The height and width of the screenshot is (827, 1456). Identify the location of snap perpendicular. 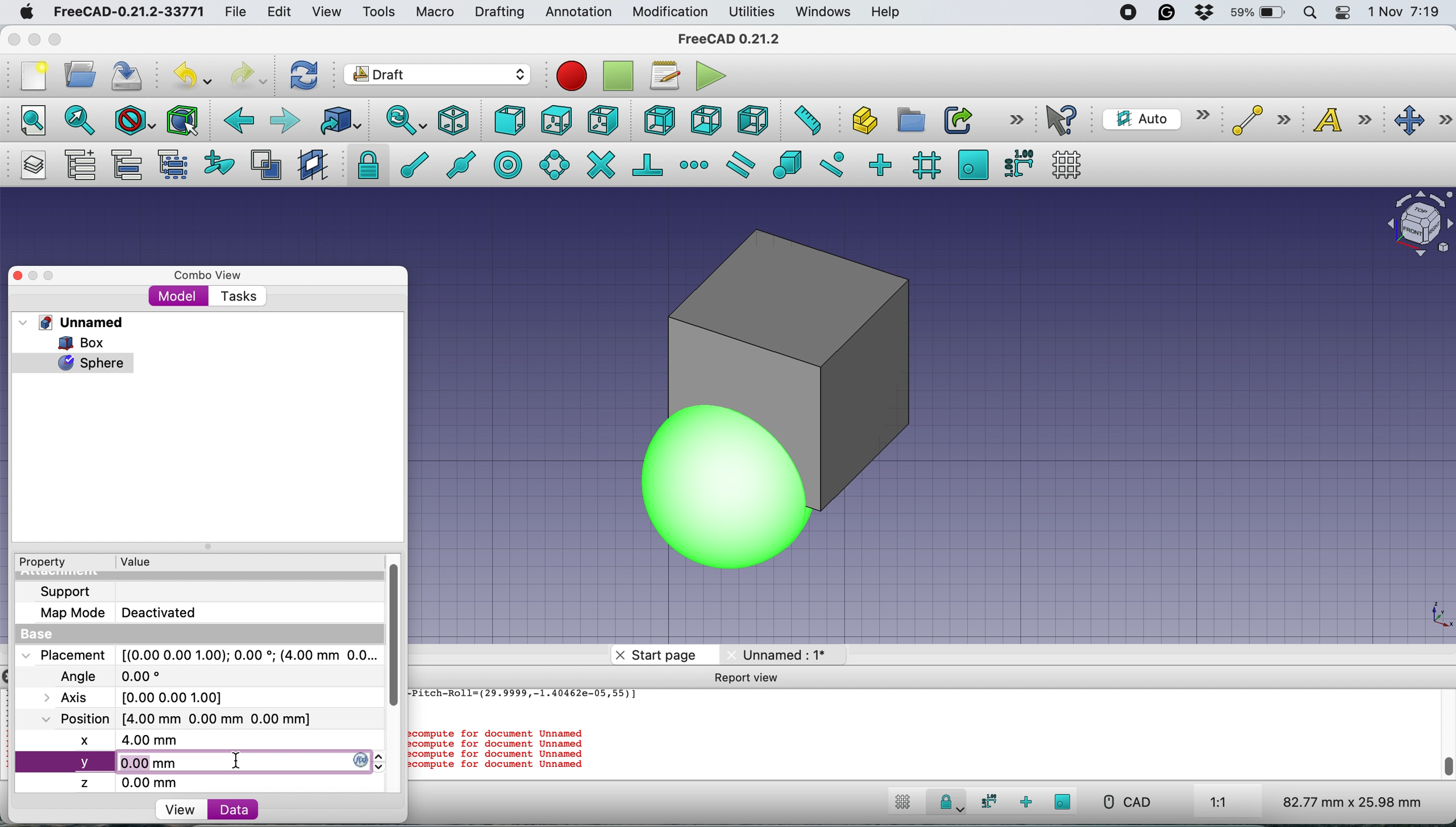
(649, 164).